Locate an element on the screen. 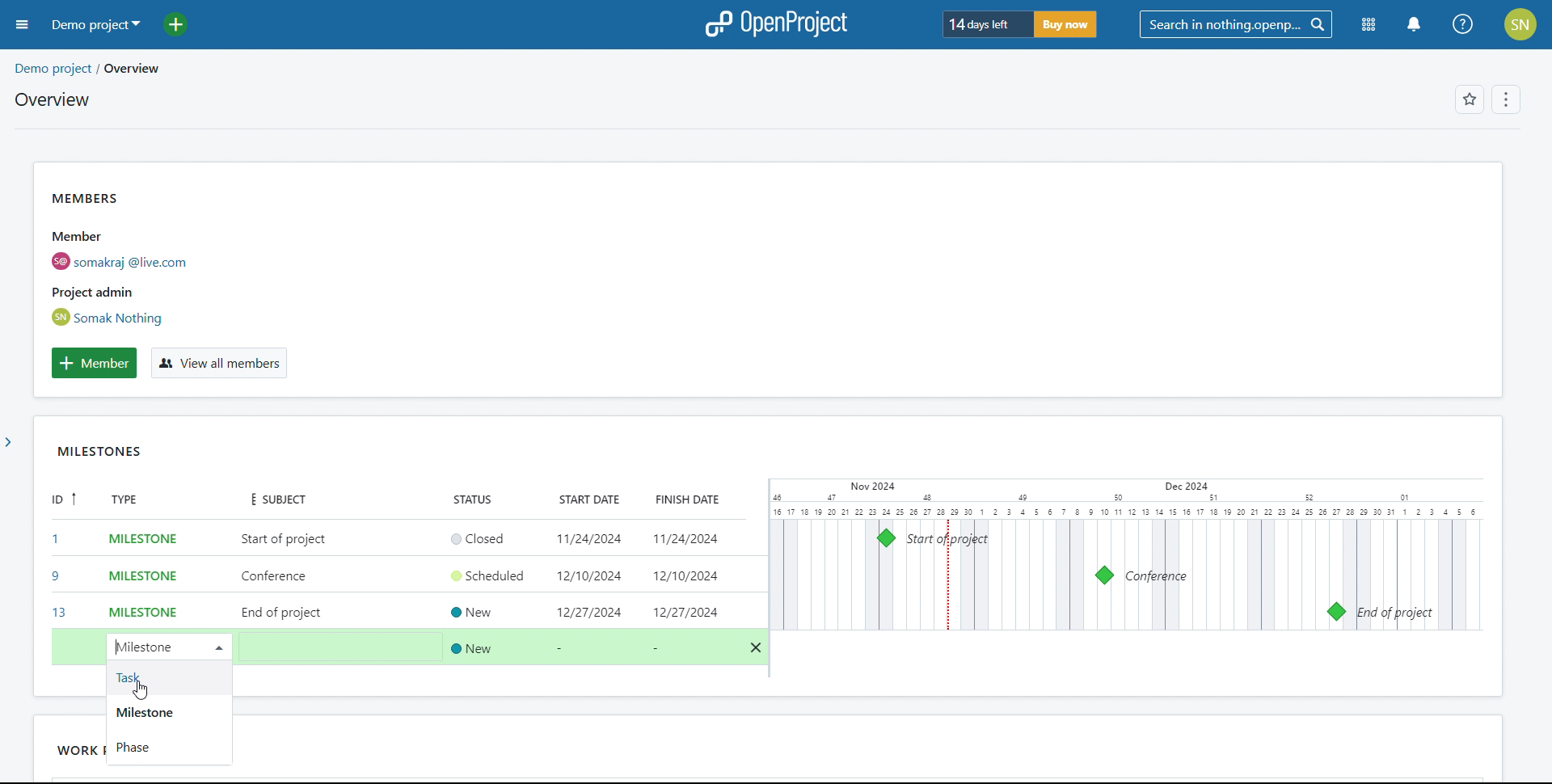  add subject is located at coordinates (285, 576).